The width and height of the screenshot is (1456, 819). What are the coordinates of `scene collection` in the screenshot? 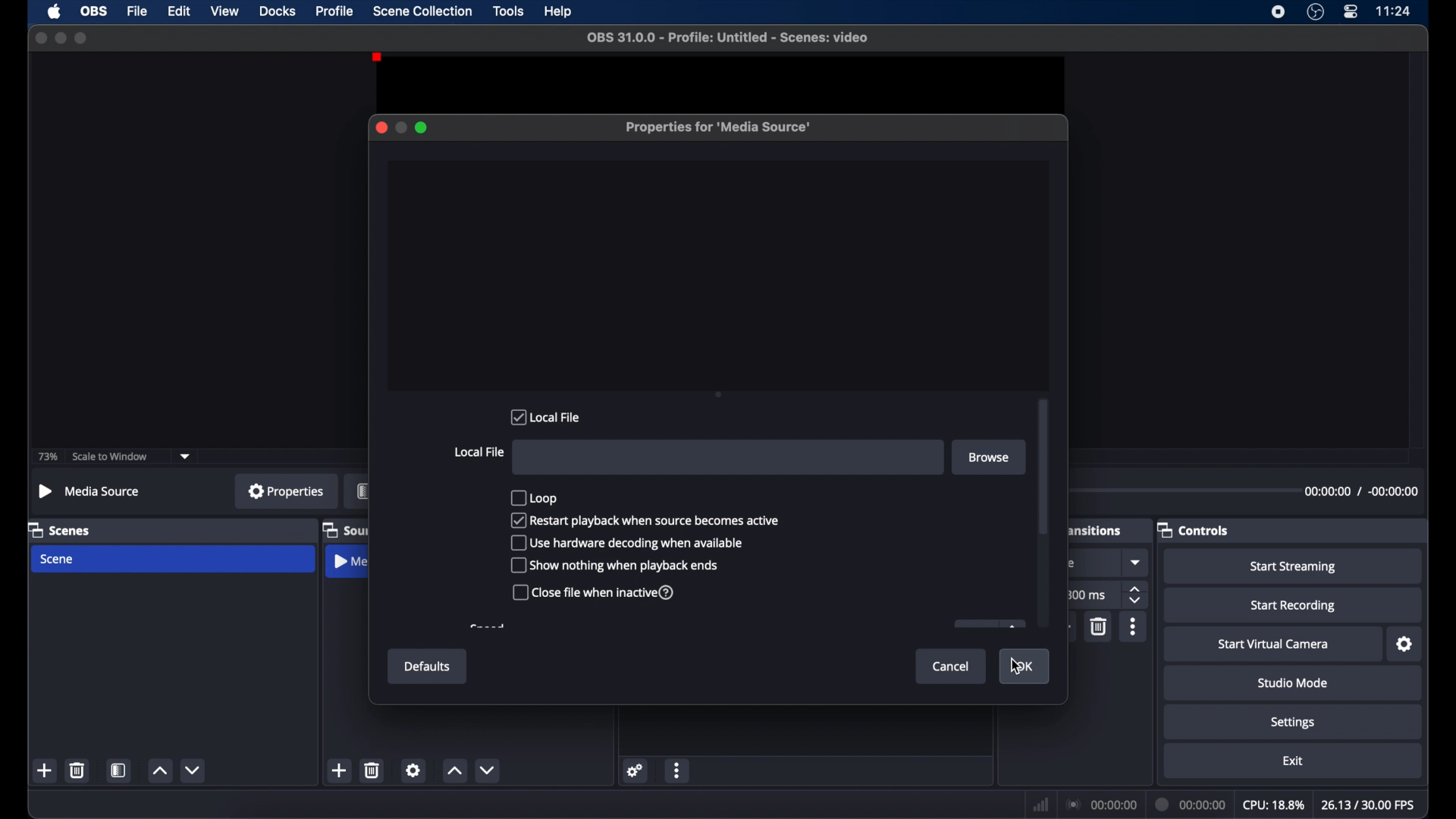 It's located at (422, 11).